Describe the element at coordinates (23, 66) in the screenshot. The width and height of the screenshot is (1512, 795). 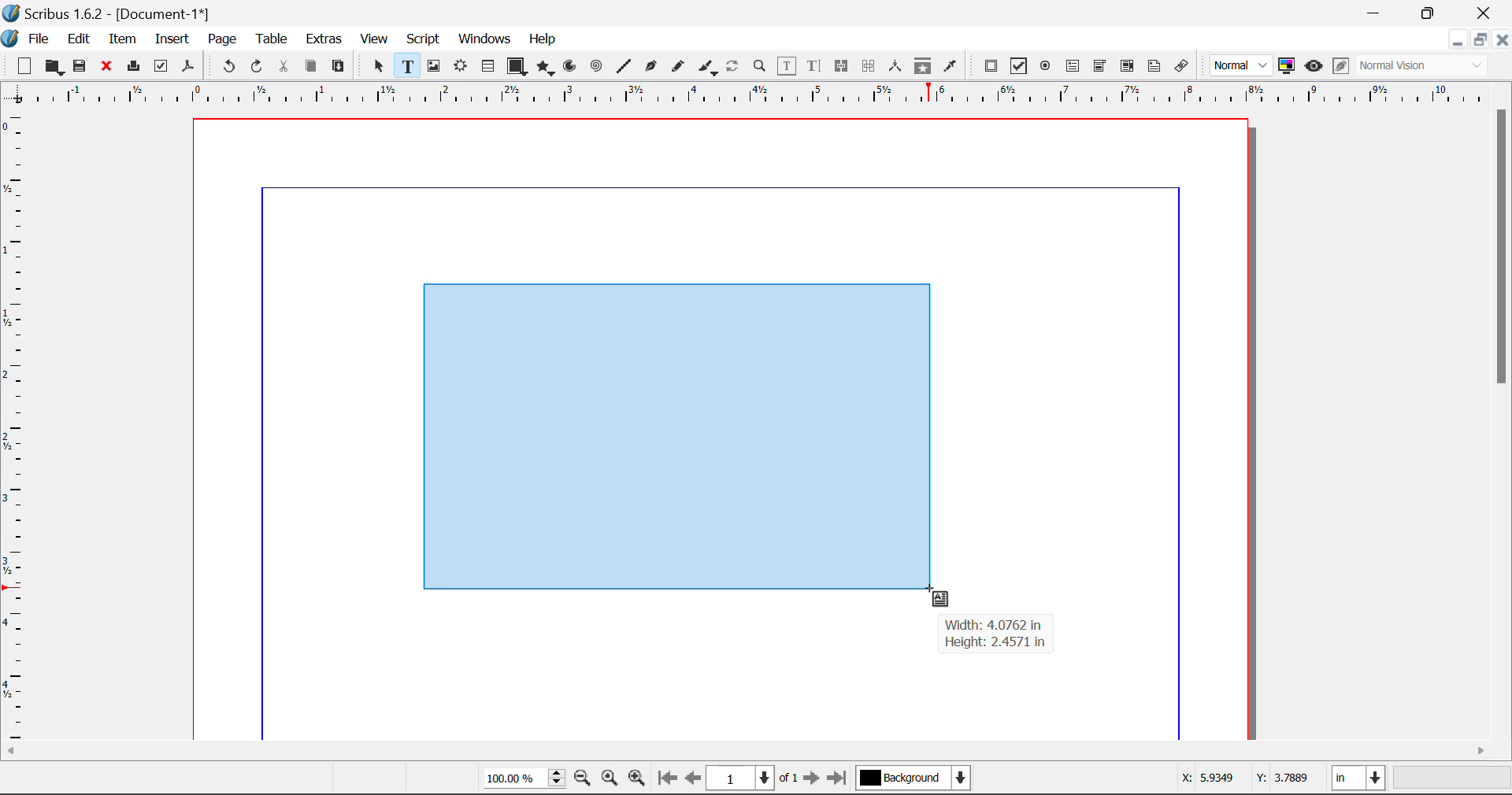
I see `New` at that location.